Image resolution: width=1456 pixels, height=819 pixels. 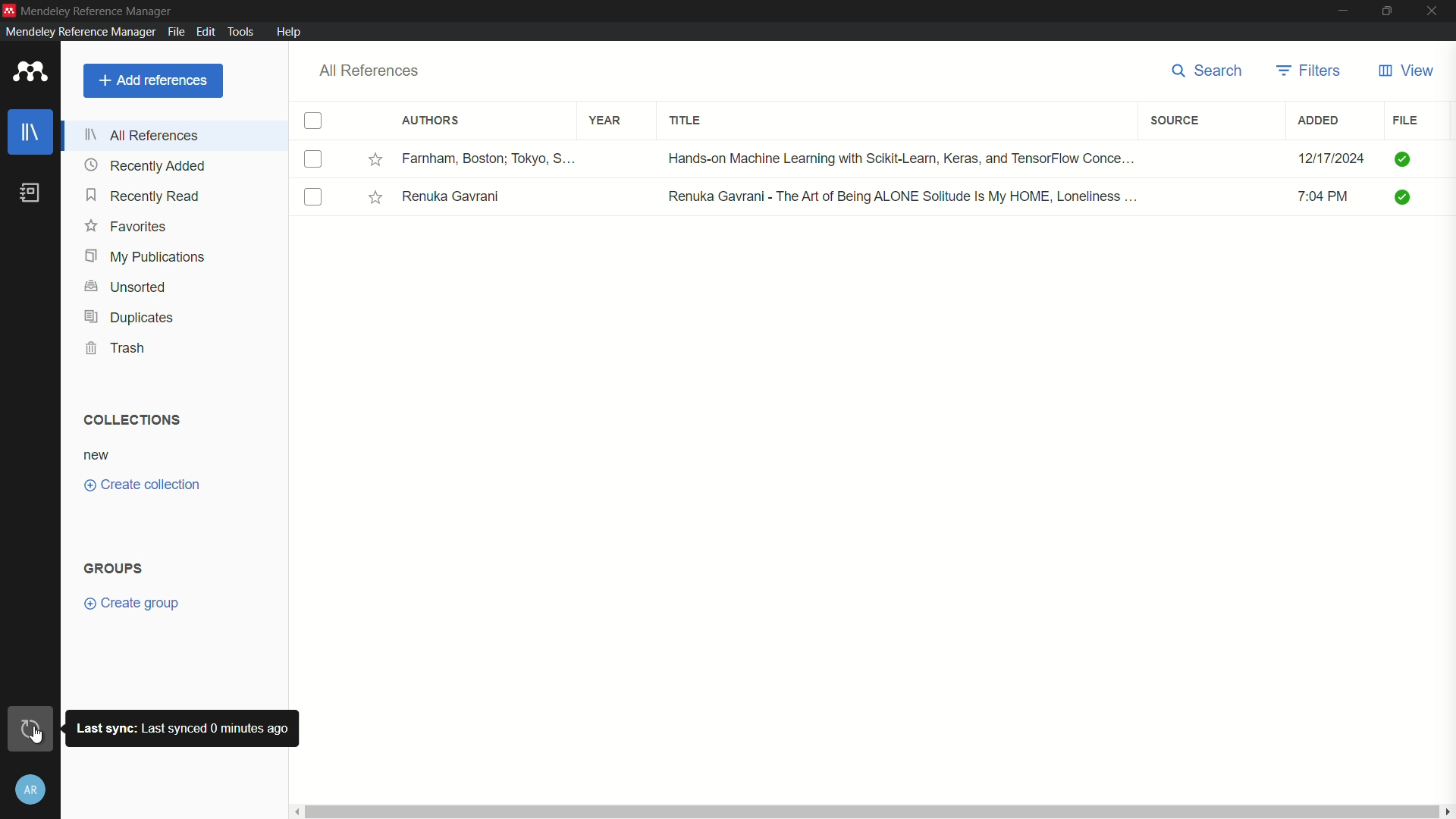 I want to click on duplicates, so click(x=129, y=318).